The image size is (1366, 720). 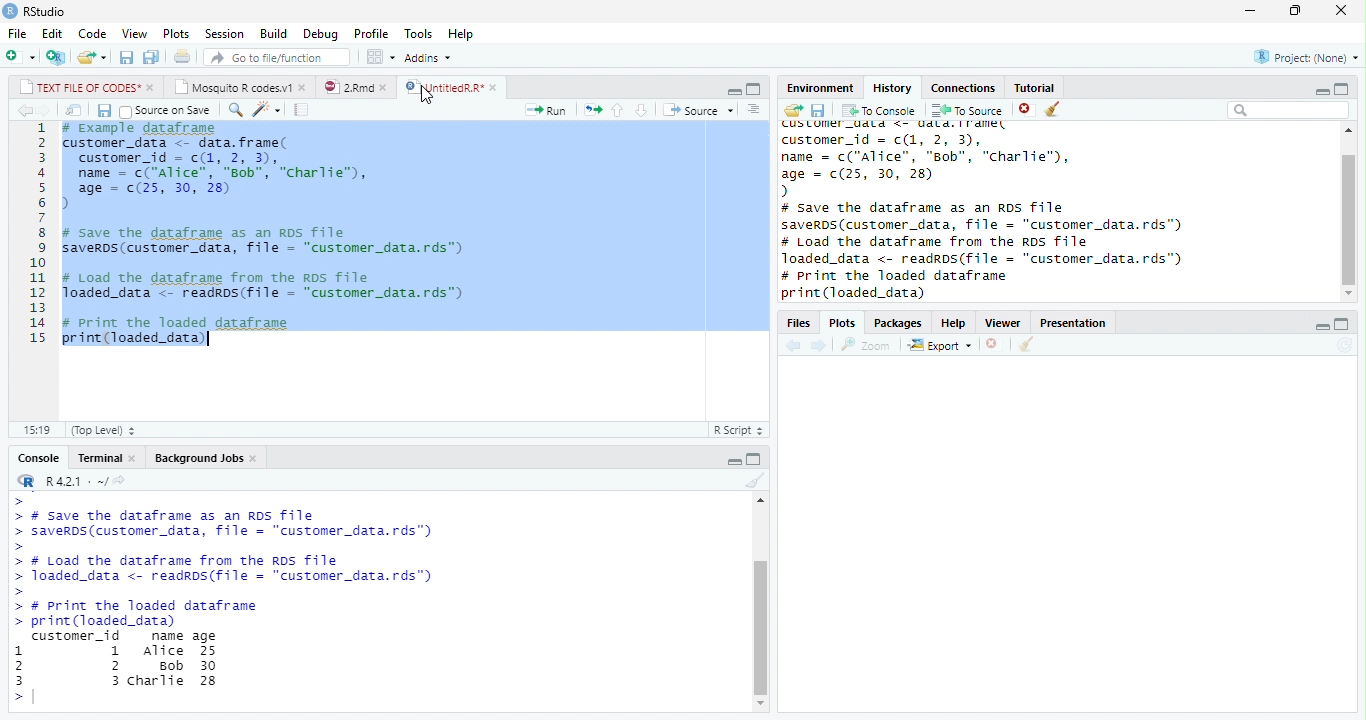 What do you see at coordinates (963, 89) in the screenshot?
I see `Connections` at bounding box center [963, 89].